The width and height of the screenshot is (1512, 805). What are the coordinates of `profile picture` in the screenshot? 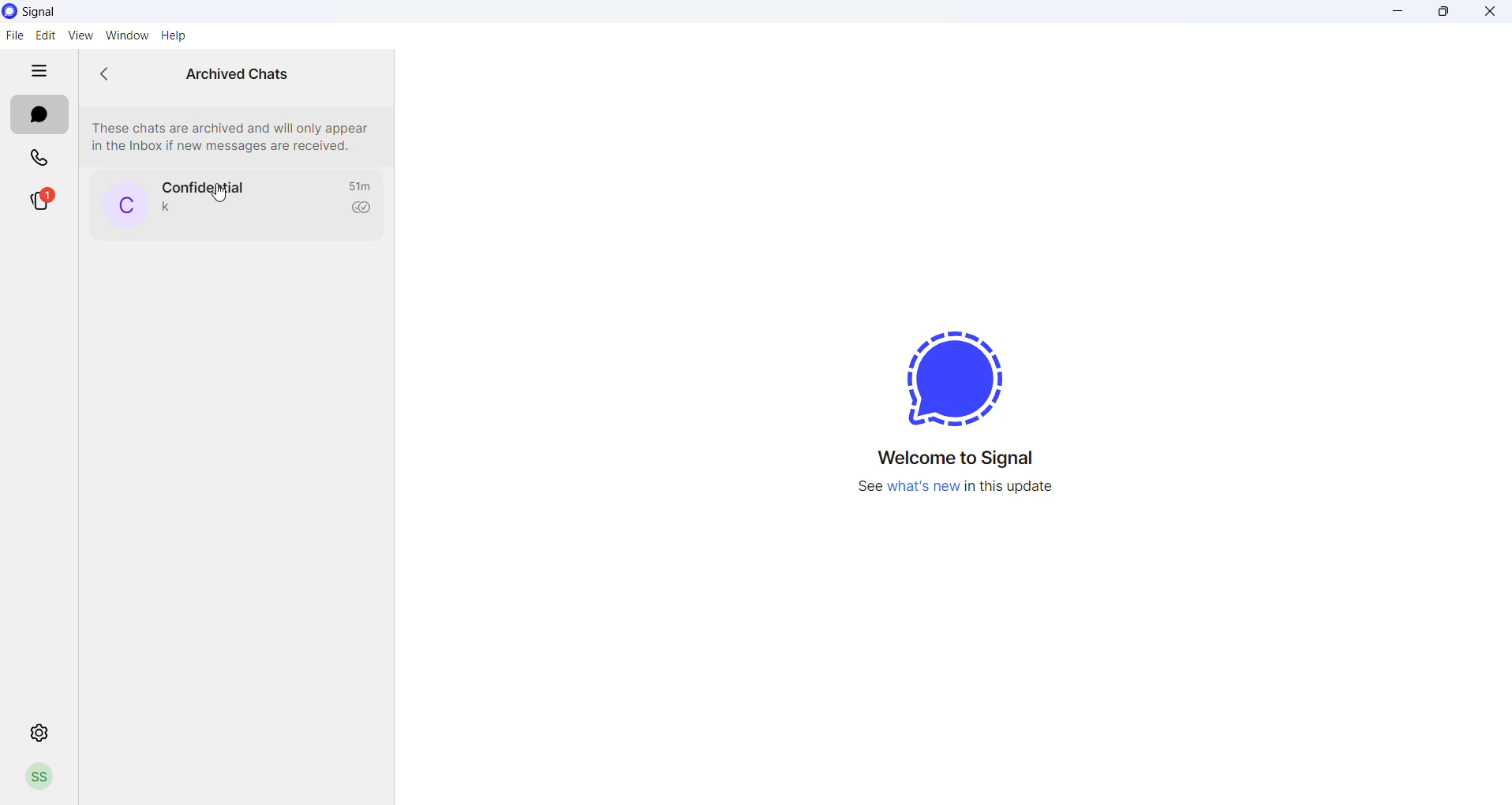 It's located at (122, 205).